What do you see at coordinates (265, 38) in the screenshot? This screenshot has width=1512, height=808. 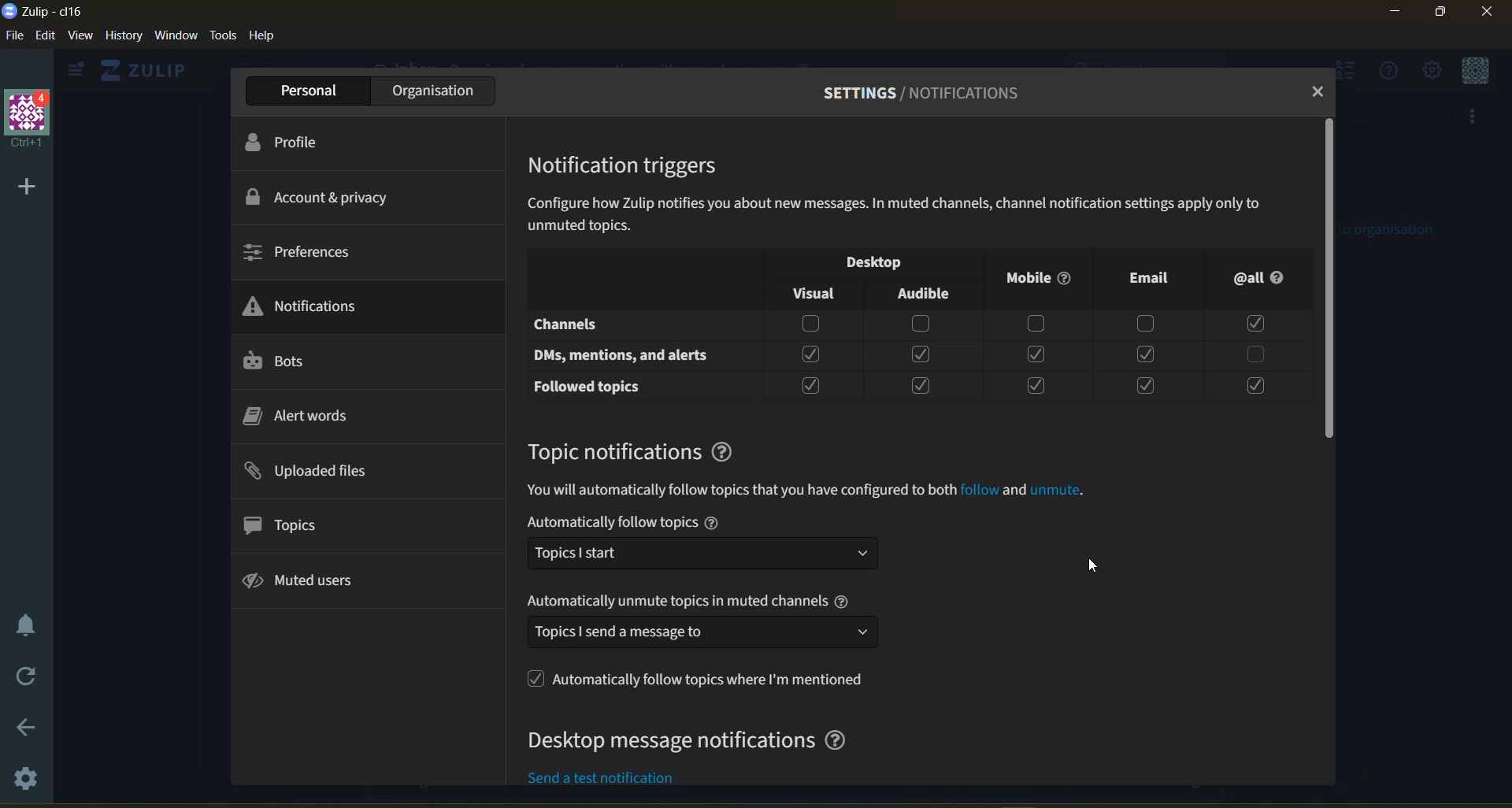 I see `help` at bounding box center [265, 38].